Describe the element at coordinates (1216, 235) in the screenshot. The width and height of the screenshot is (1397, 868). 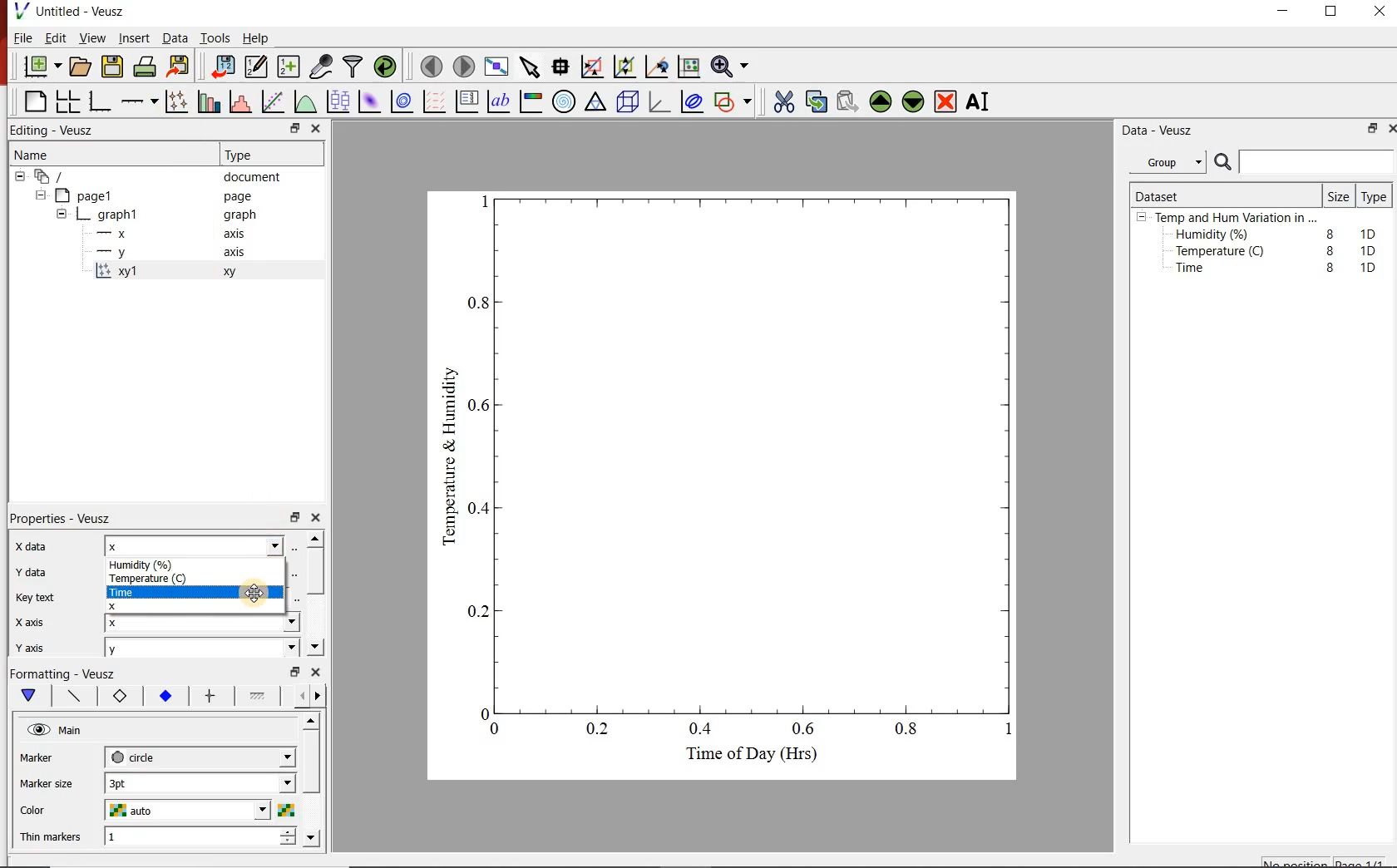
I see `Humidity (%)` at that location.